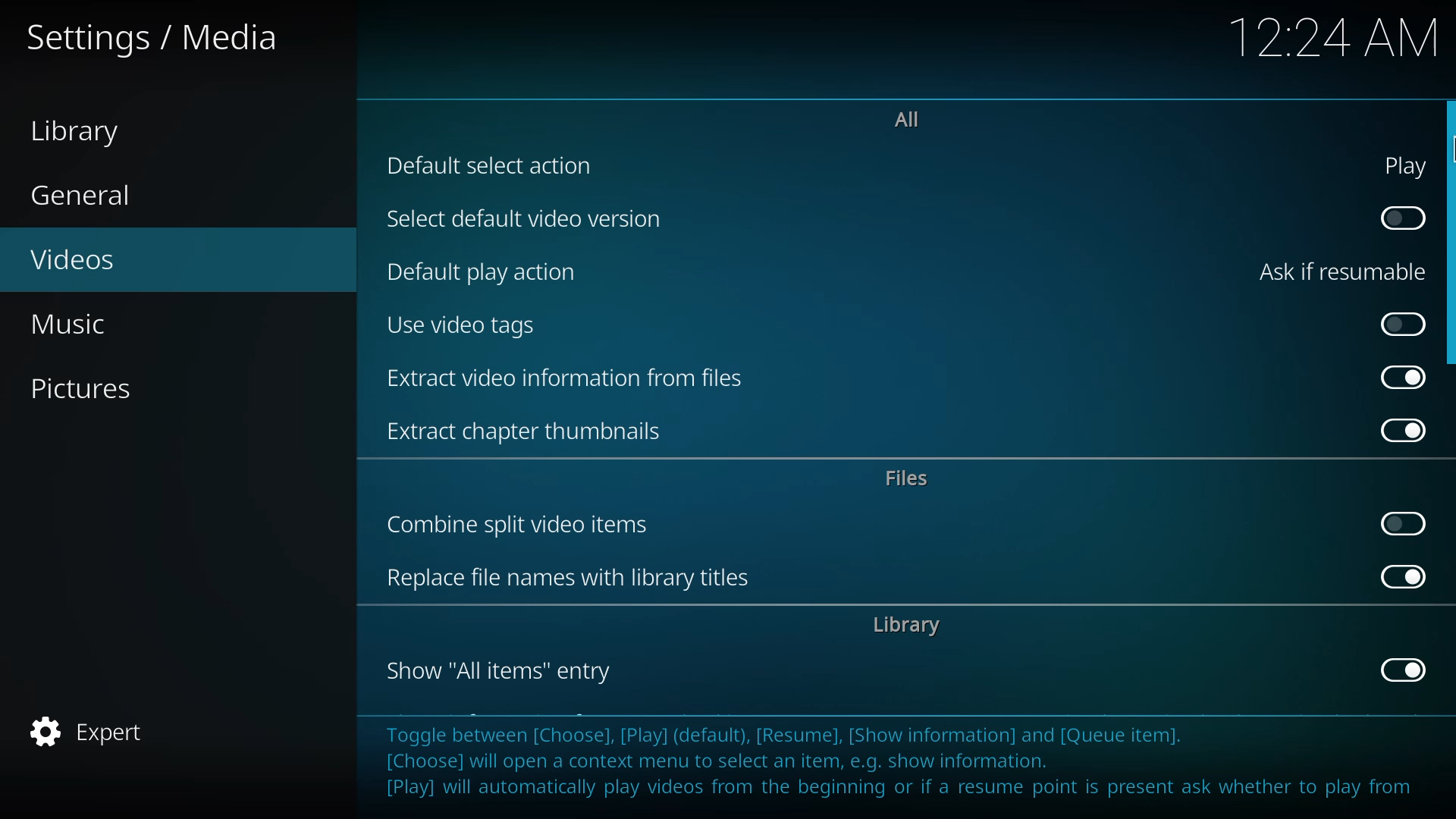 The width and height of the screenshot is (1456, 819). Describe the element at coordinates (89, 323) in the screenshot. I see `music` at that location.